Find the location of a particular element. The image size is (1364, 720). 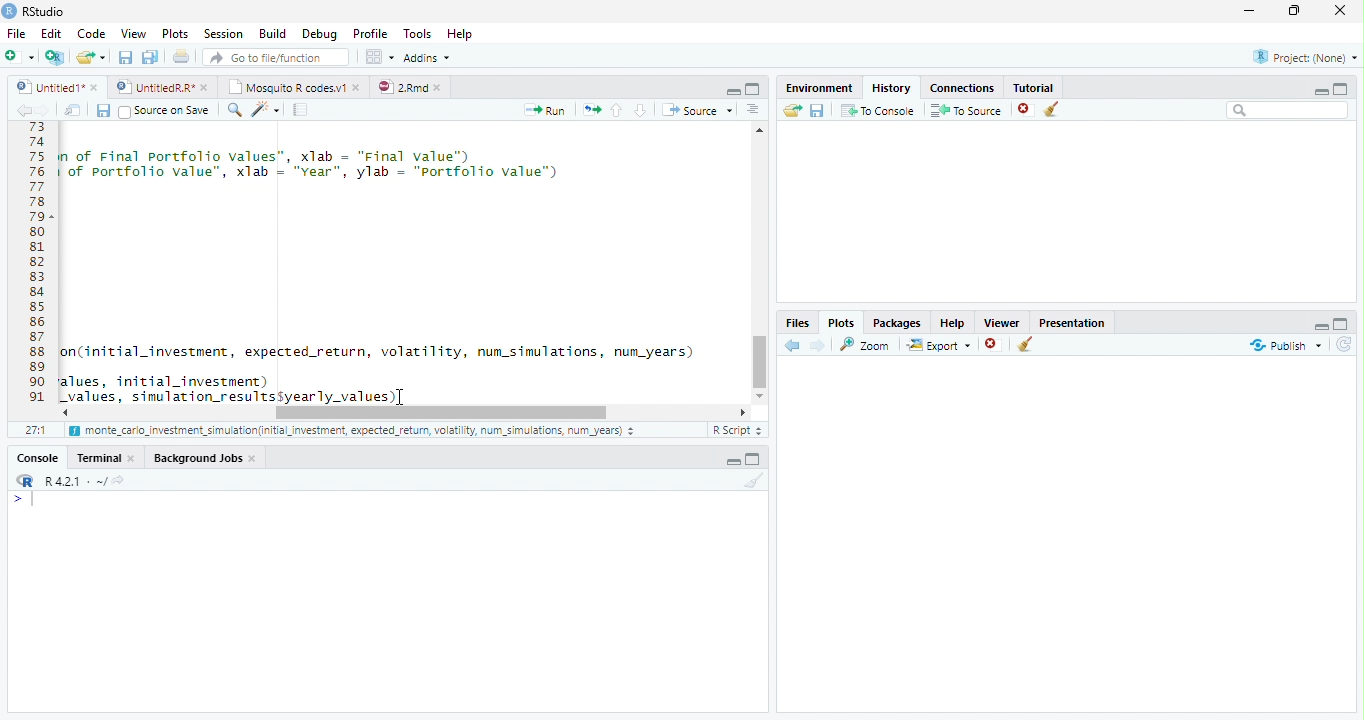

Scroll Up is located at coordinates (760, 132).